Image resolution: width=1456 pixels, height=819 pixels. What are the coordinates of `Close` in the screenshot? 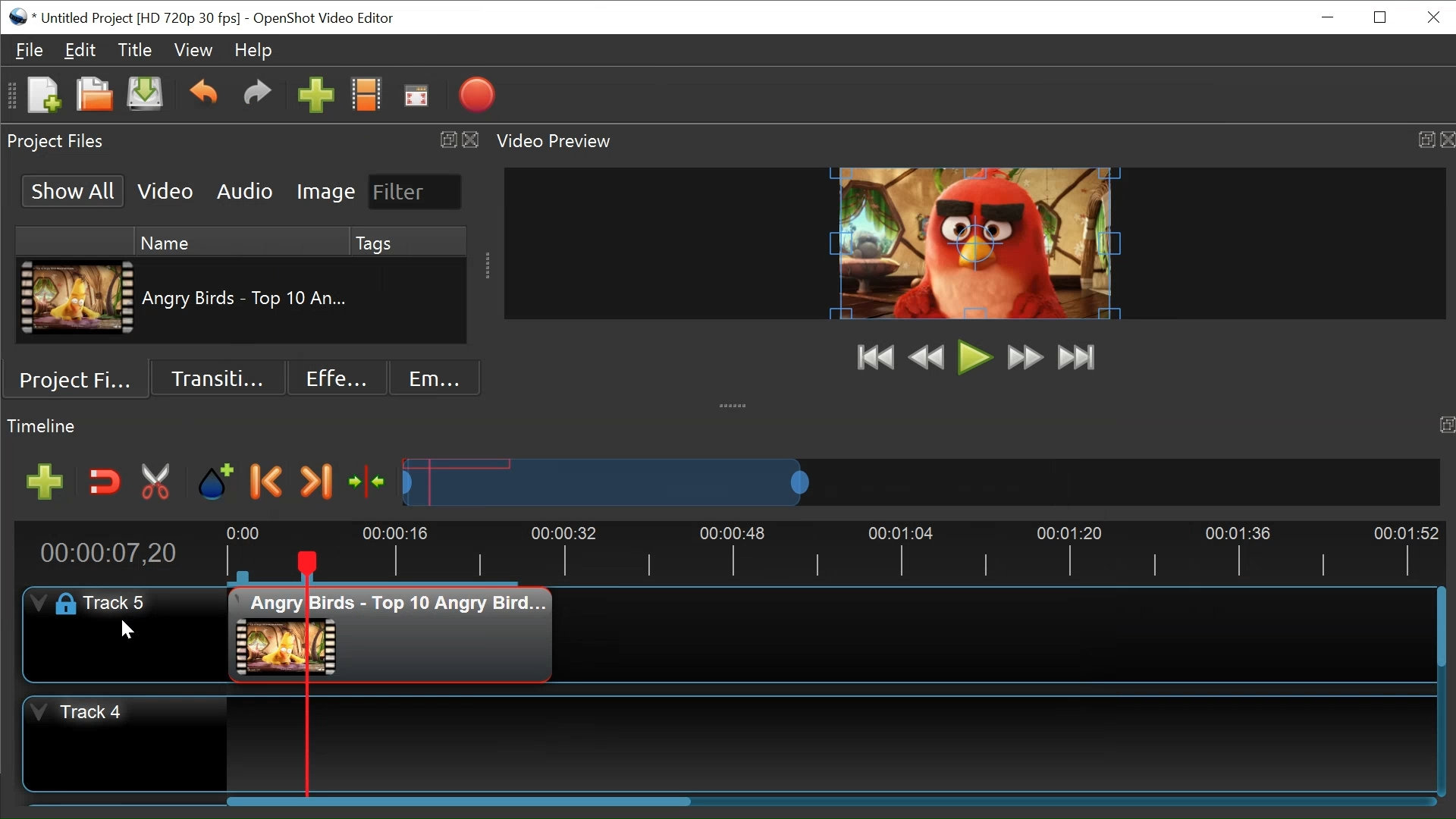 It's located at (1432, 17).